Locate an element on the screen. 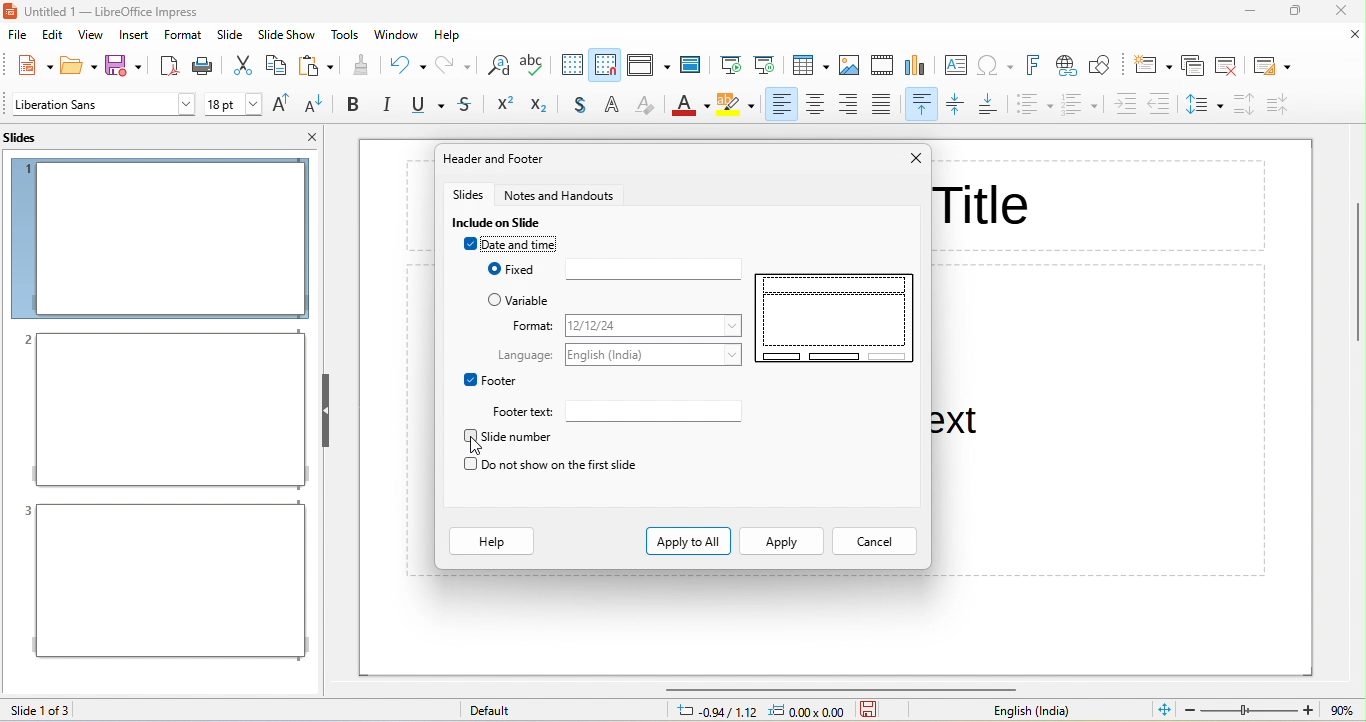 This screenshot has width=1366, height=722. current slide is located at coordinates (766, 63).